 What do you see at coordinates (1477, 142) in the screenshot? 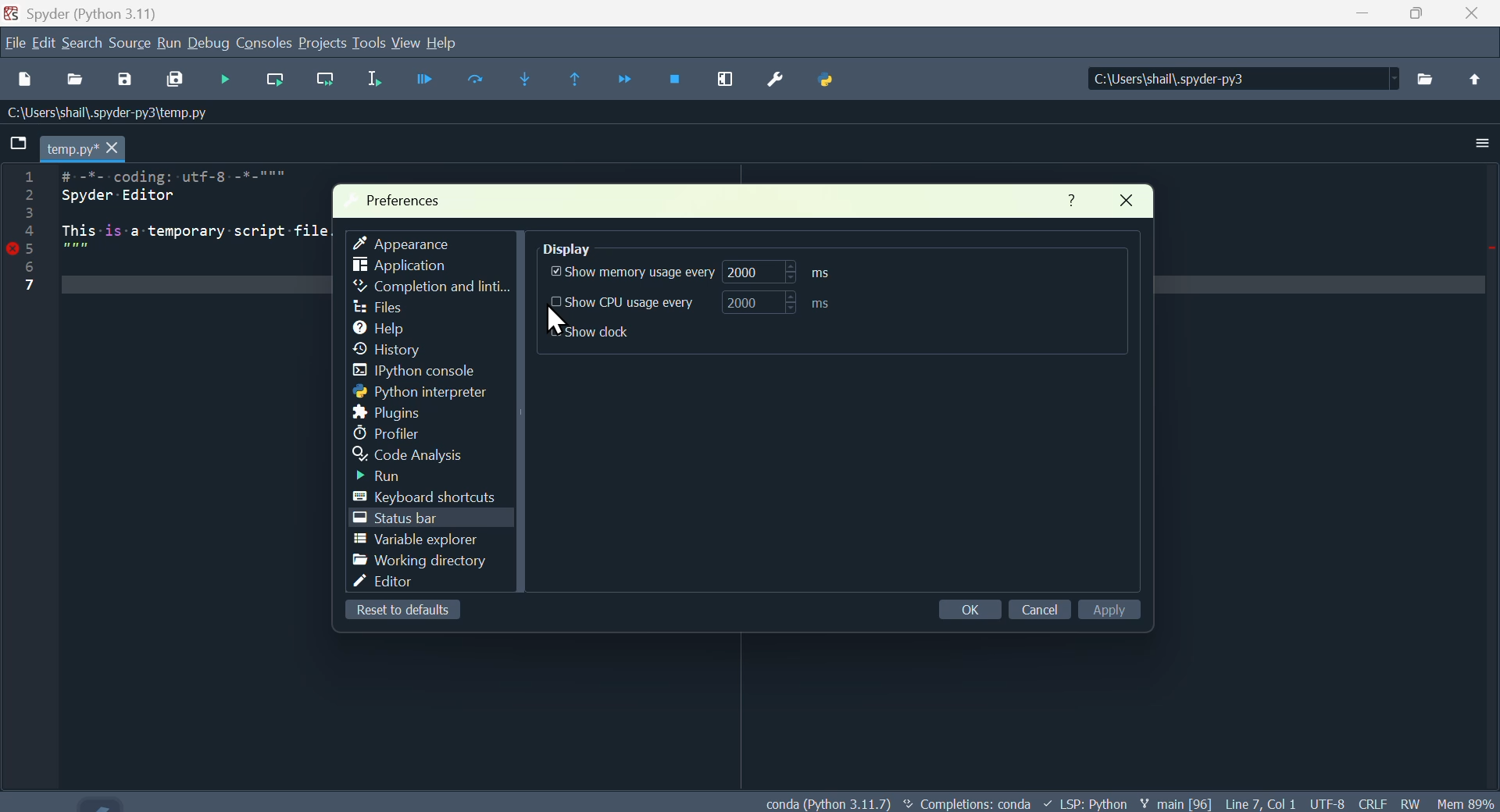
I see `More options` at bounding box center [1477, 142].